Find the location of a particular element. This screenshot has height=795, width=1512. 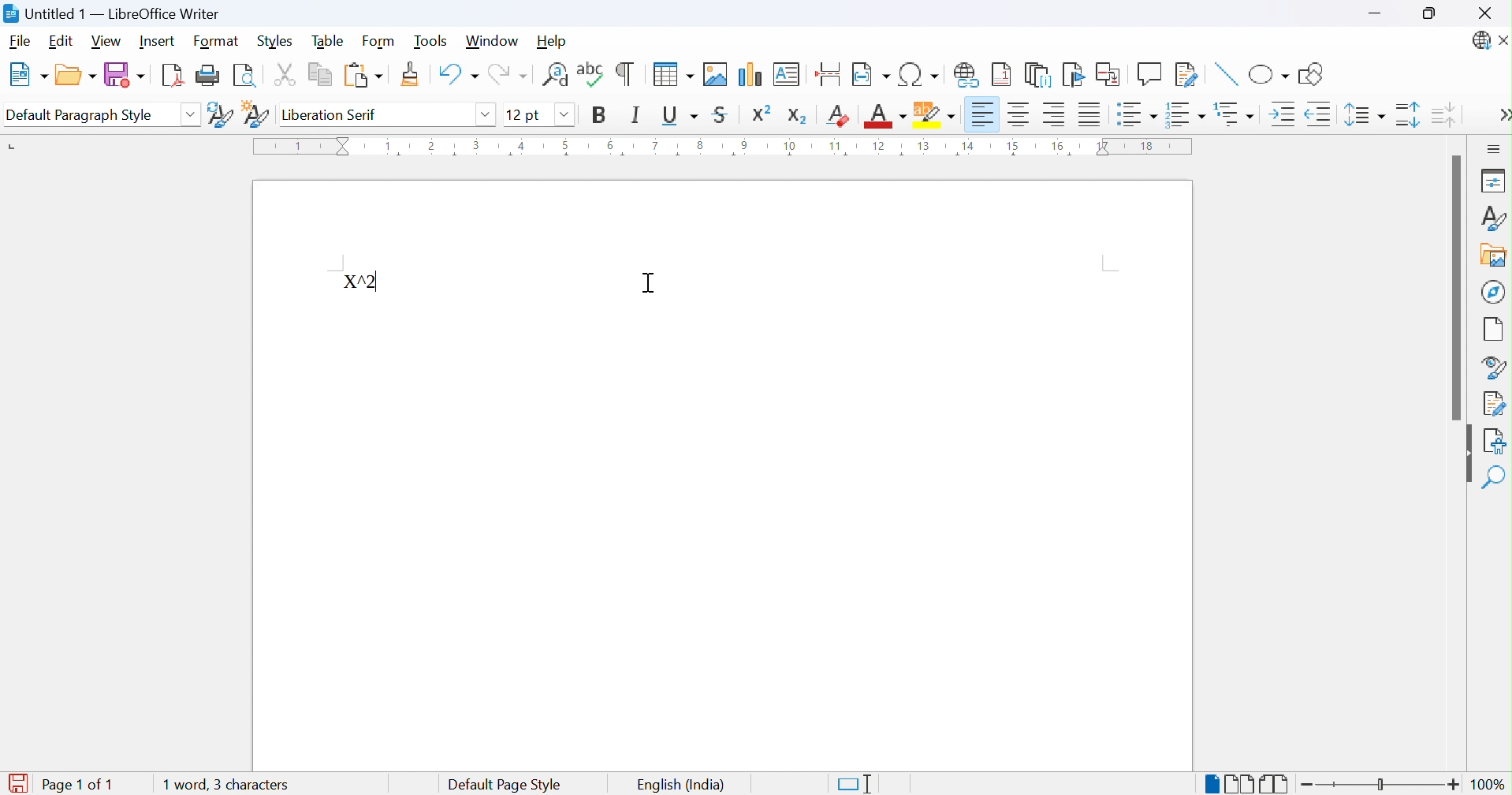

Slider is located at coordinates (1379, 784).